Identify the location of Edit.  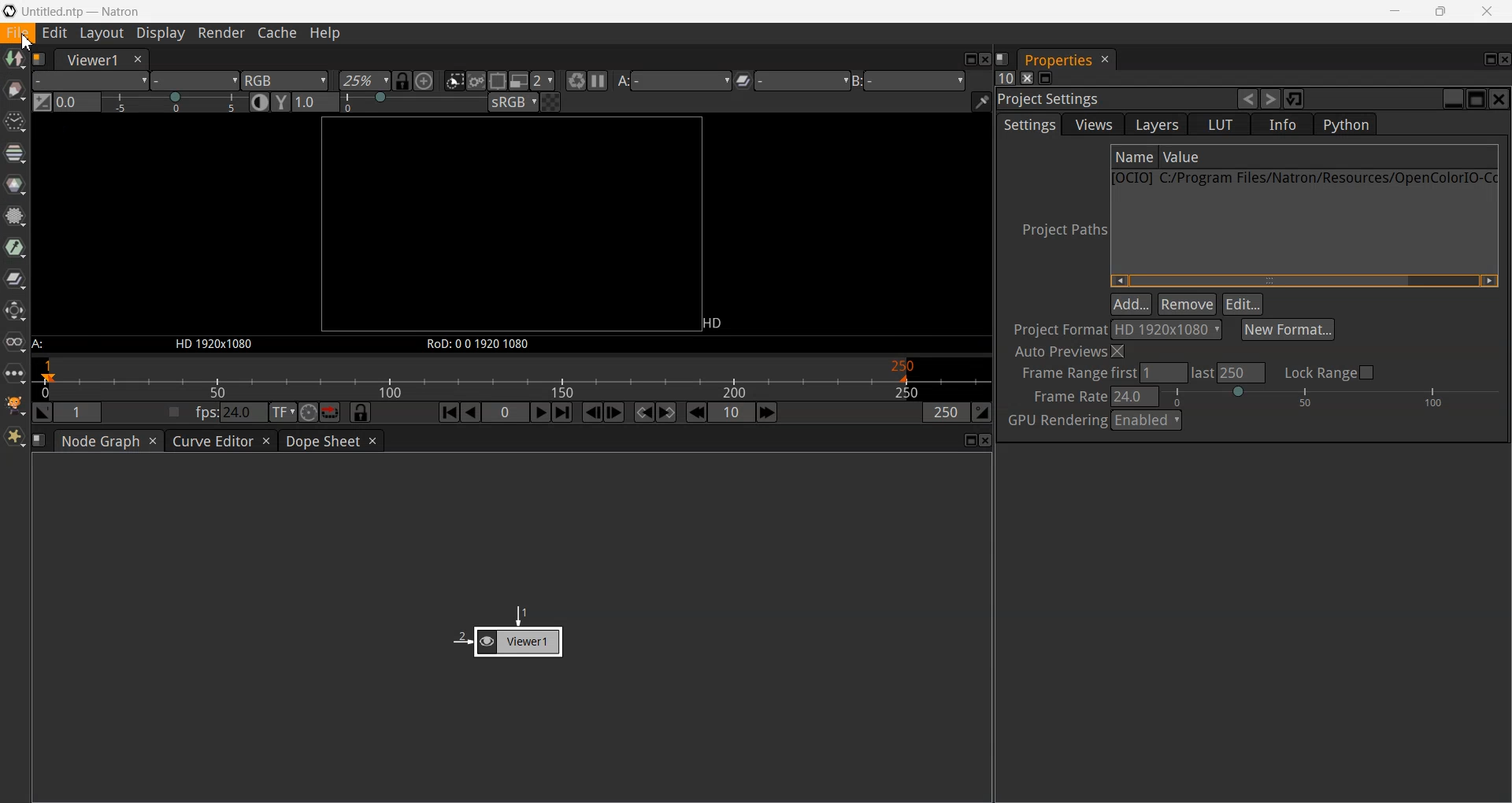
(1243, 304).